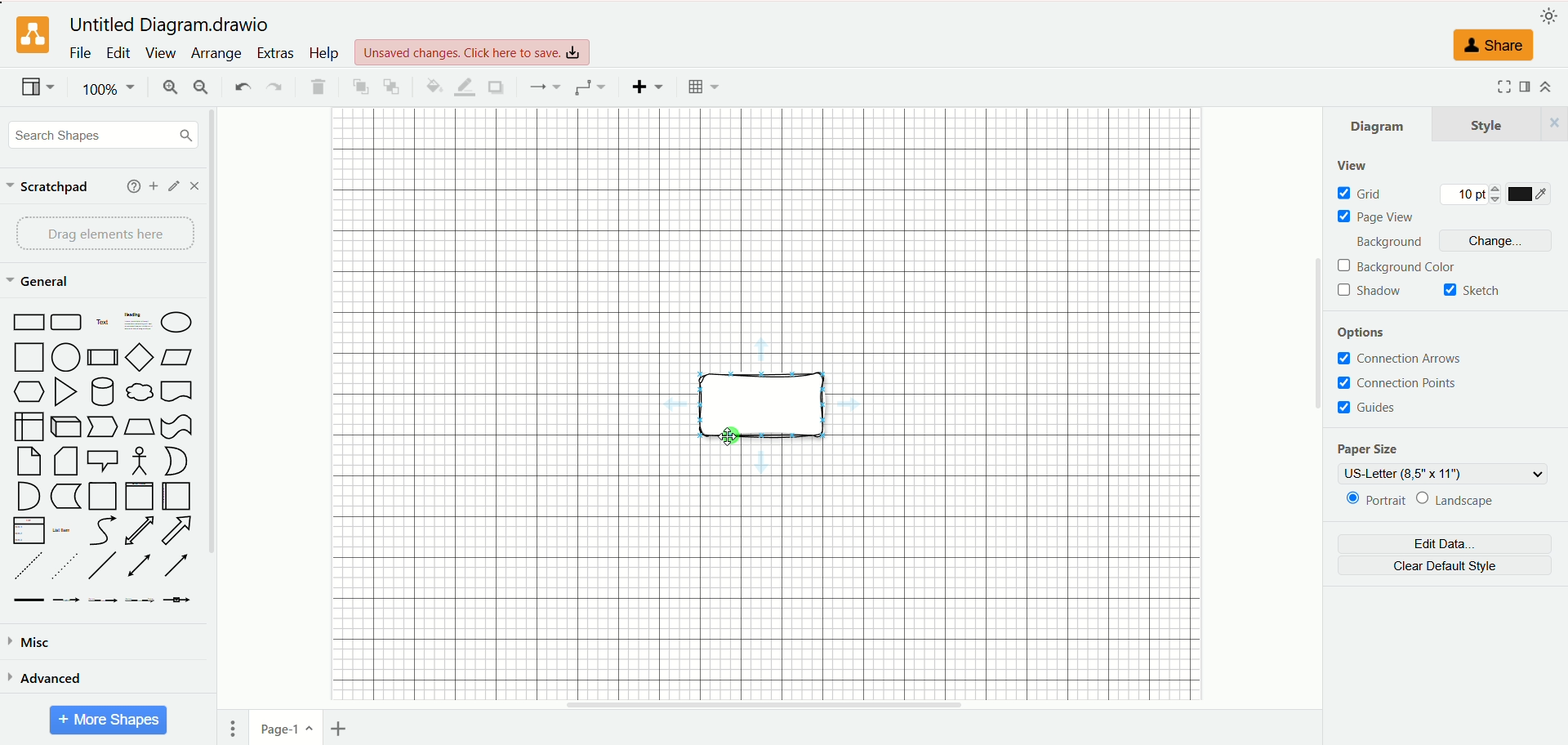 This screenshot has width=1568, height=745. Describe the element at coordinates (1363, 193) in the screenshot. I see `grid` at that location.